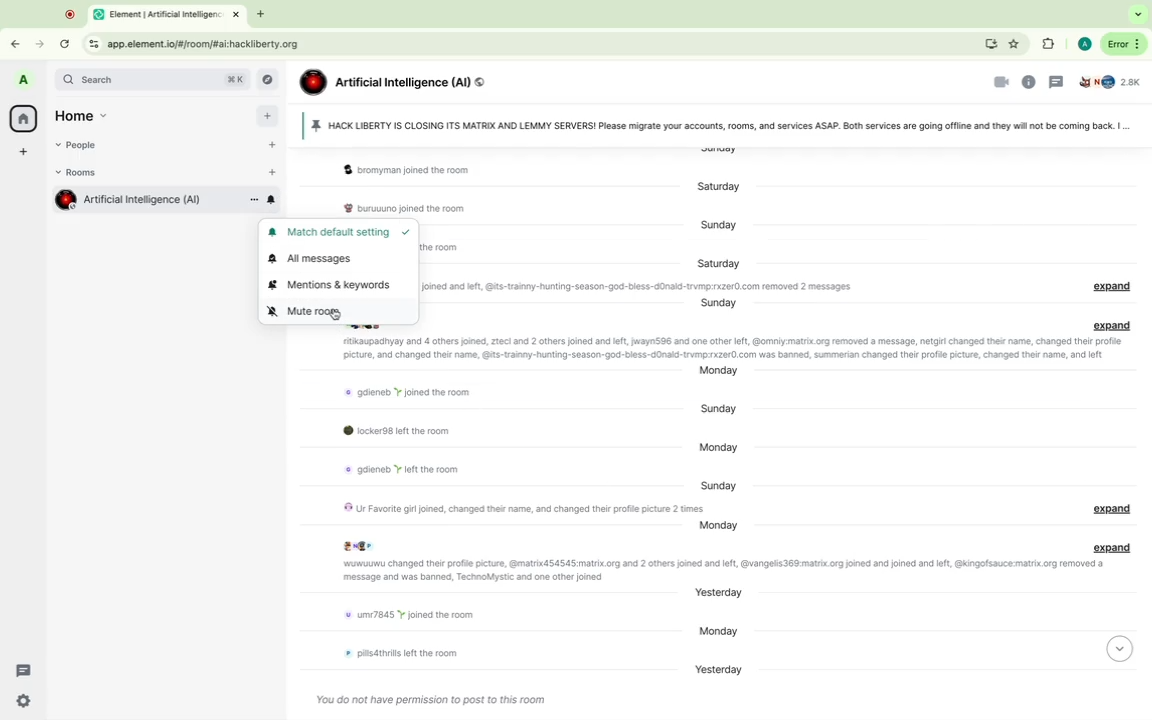 This screenshot has width=1152, height=720. Describe the element at coordinates (18, 41) in the screenshot. I see `Back` at that location.